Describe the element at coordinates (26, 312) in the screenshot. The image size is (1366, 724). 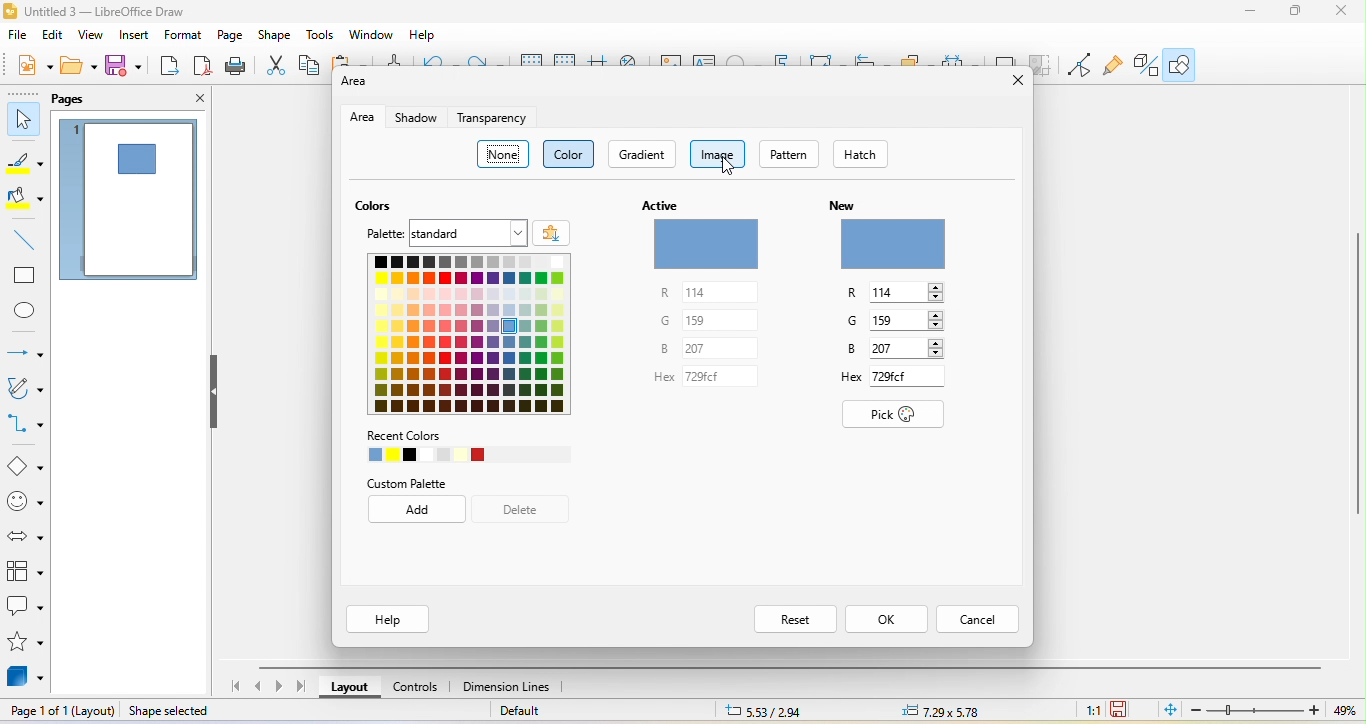
I see `ellipse` at that location.